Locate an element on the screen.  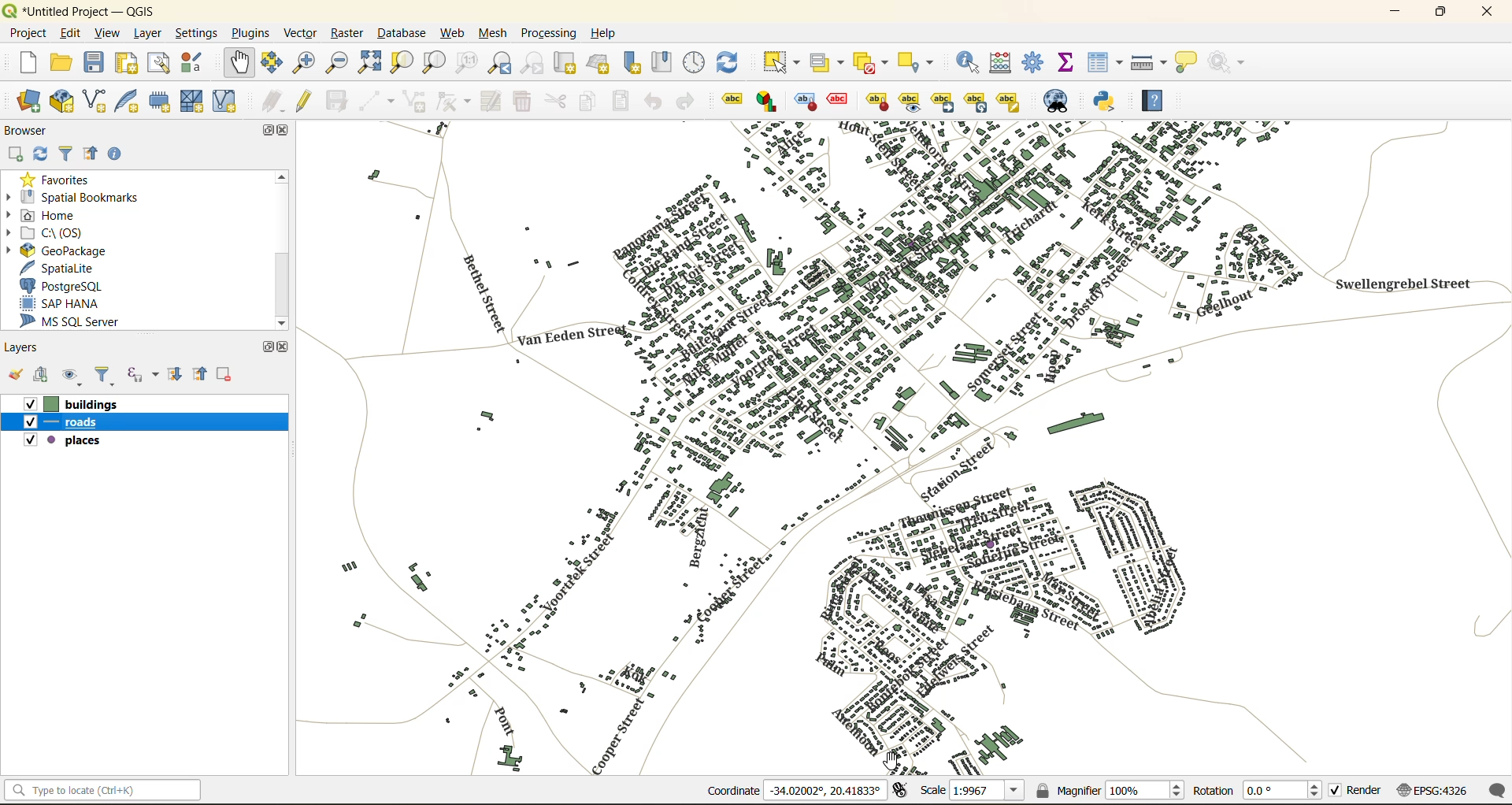
measure line is located at coordinates (1149, 63).